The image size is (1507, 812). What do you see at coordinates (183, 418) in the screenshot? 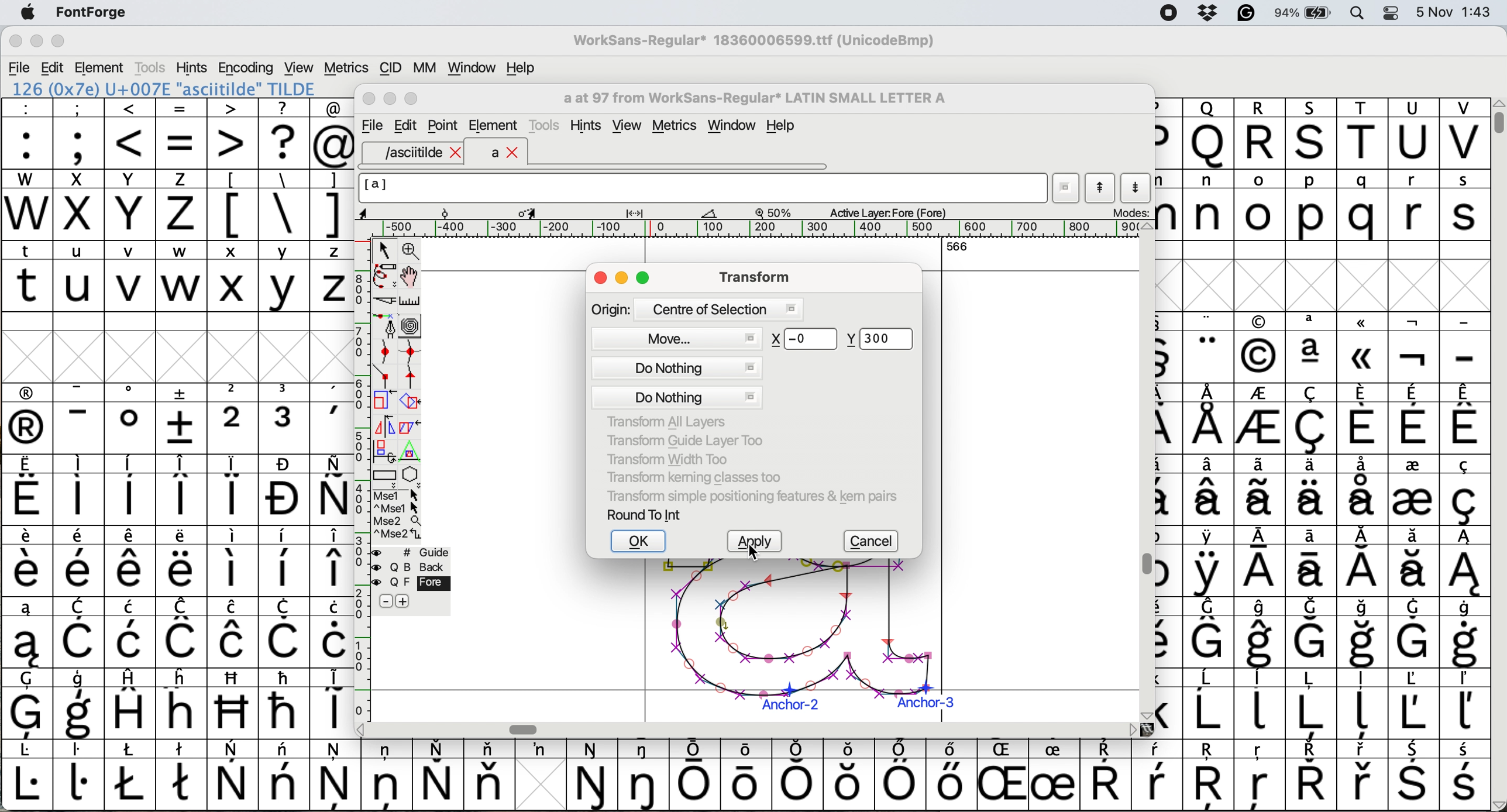
I see `symbol` at bounding box center [183, 418].